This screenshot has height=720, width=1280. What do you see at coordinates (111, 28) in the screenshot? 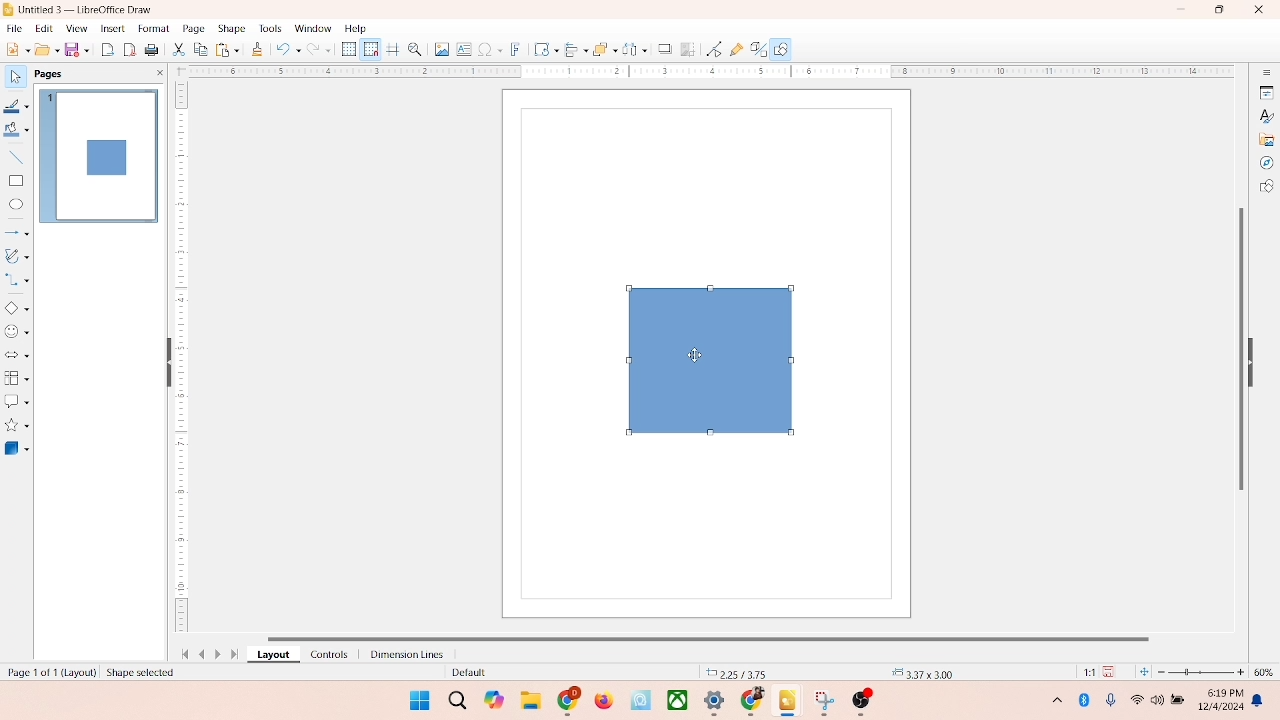
I see `insert` at bounding box center [111, 28].